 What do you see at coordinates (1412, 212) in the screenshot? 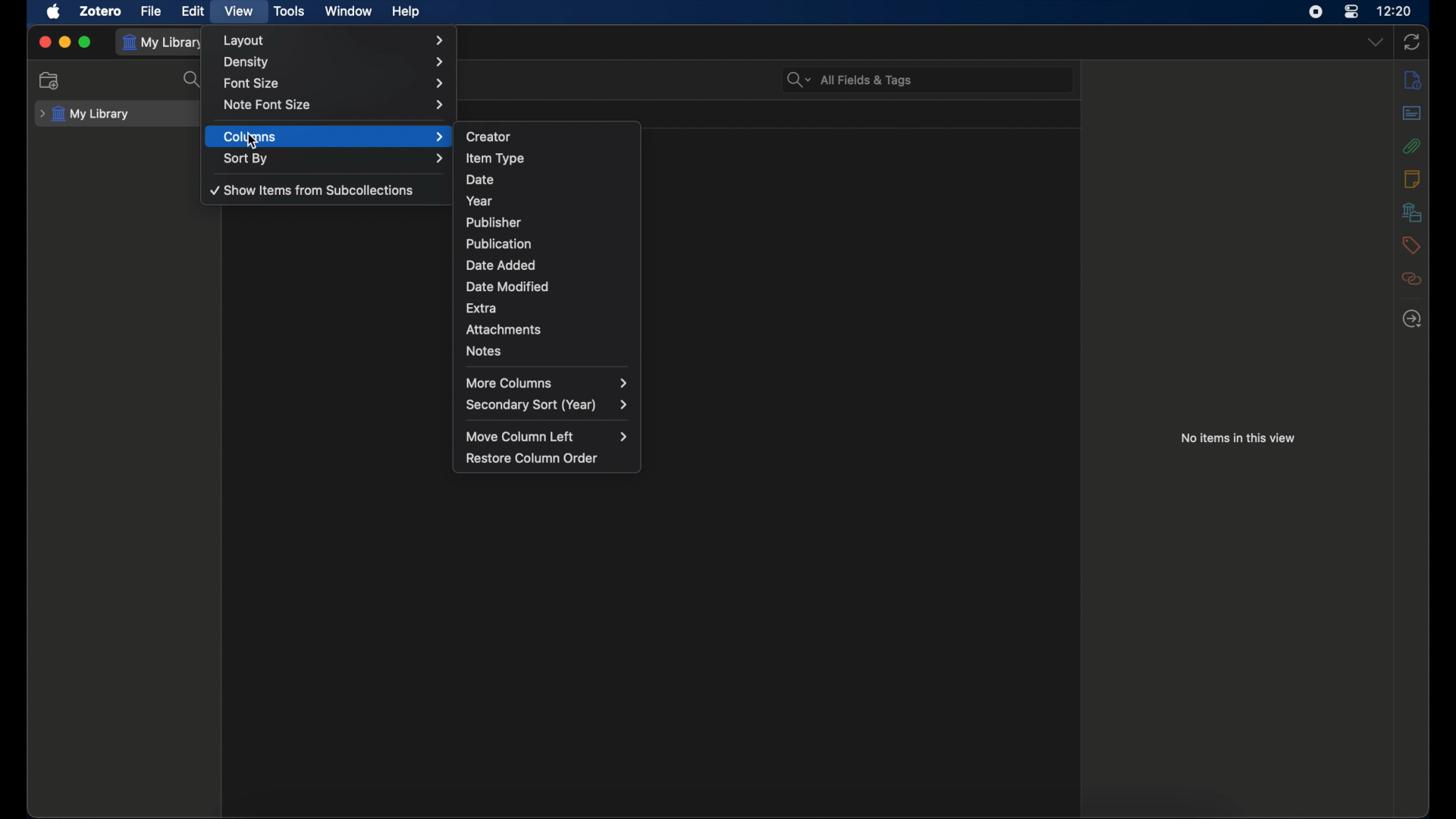
I see `libraries` at bounding box center [1412, 212].